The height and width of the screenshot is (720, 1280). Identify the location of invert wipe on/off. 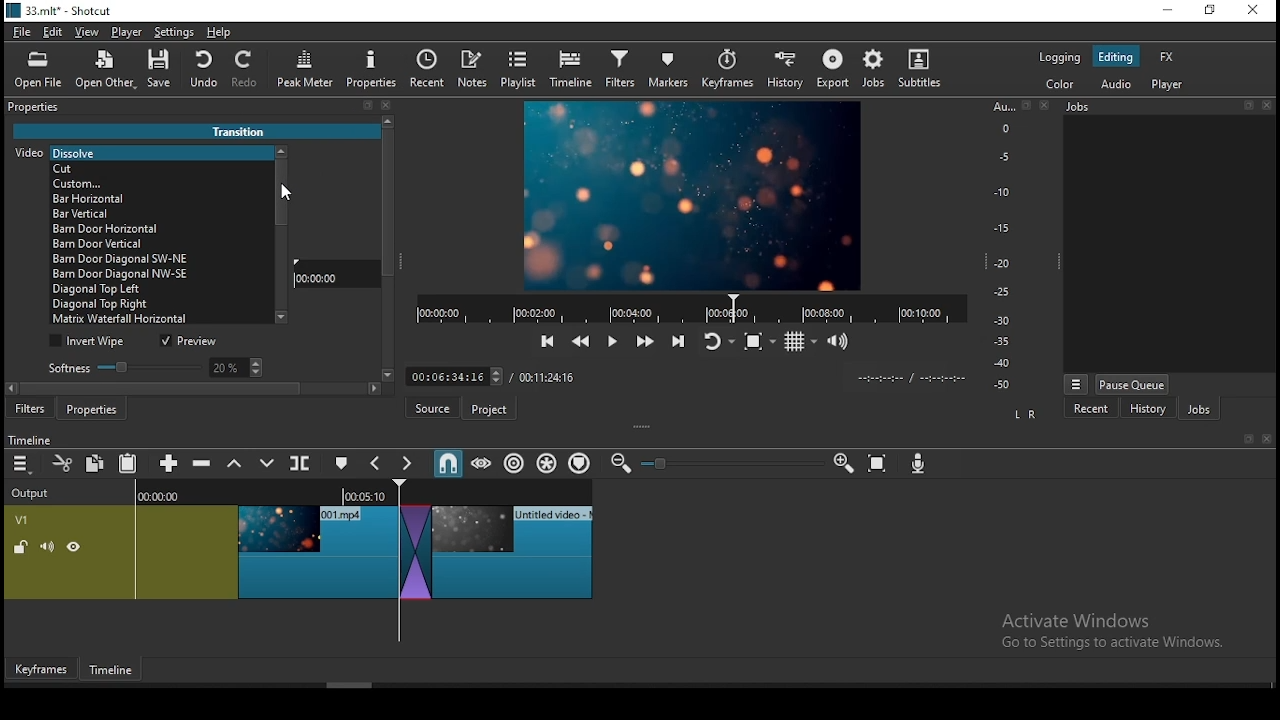
(90, 342).